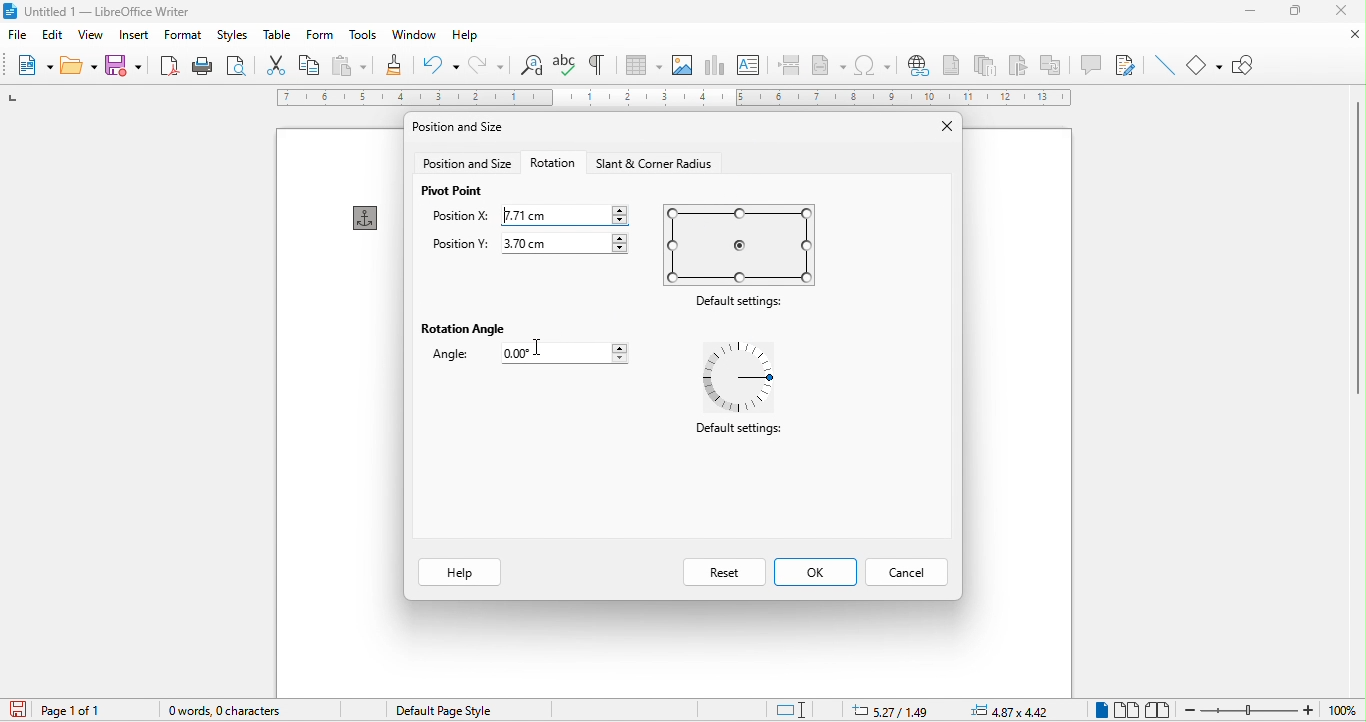 Image resolution: width=1366 pixels, height=722 pixels. I want to click on tools, so click(360, 36).